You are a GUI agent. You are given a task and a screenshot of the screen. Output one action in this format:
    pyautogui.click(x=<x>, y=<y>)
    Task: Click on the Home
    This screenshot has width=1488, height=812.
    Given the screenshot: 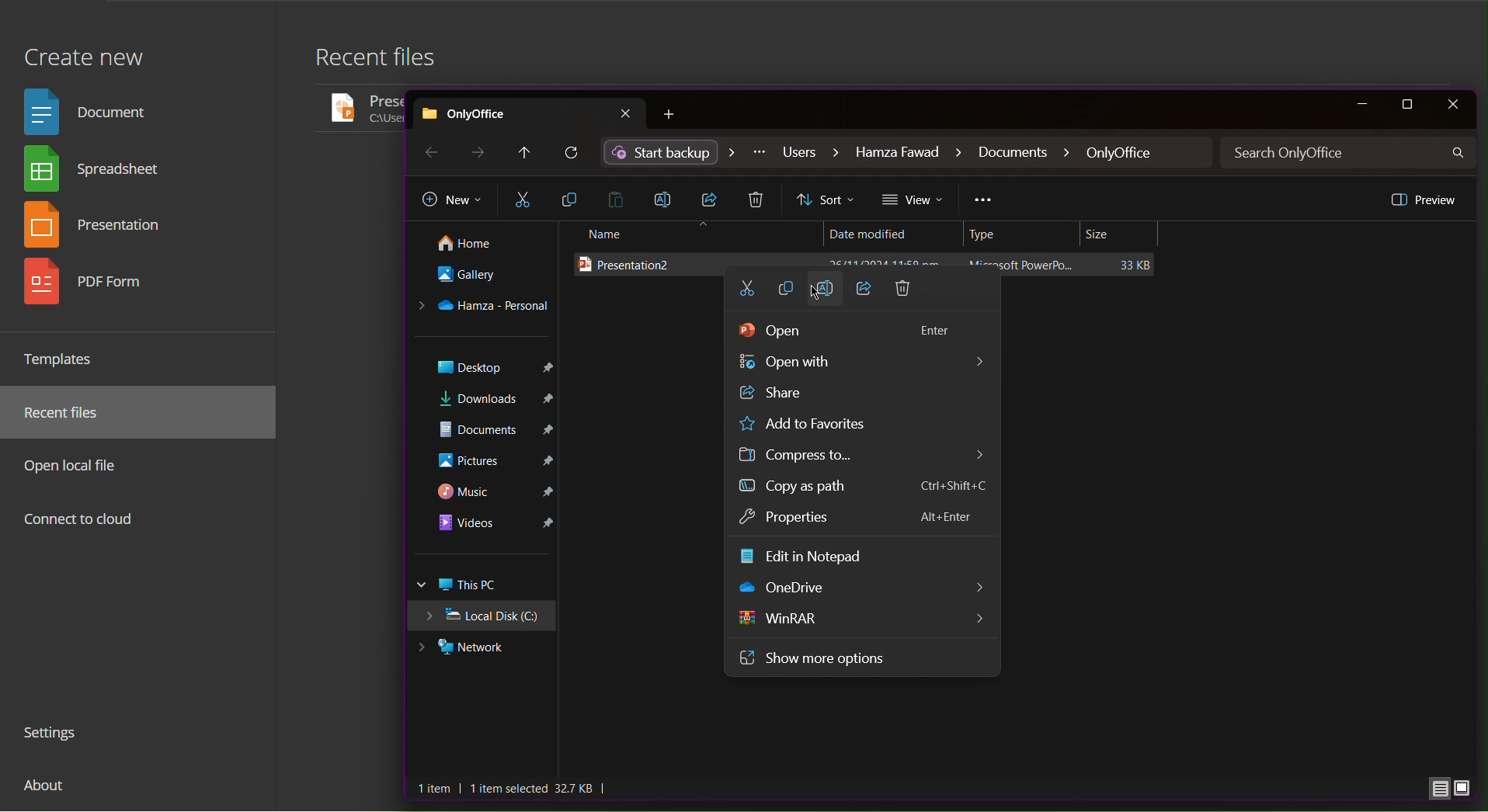 What is the action you would take?
    pyautogui.click(x=478, y=245)
    